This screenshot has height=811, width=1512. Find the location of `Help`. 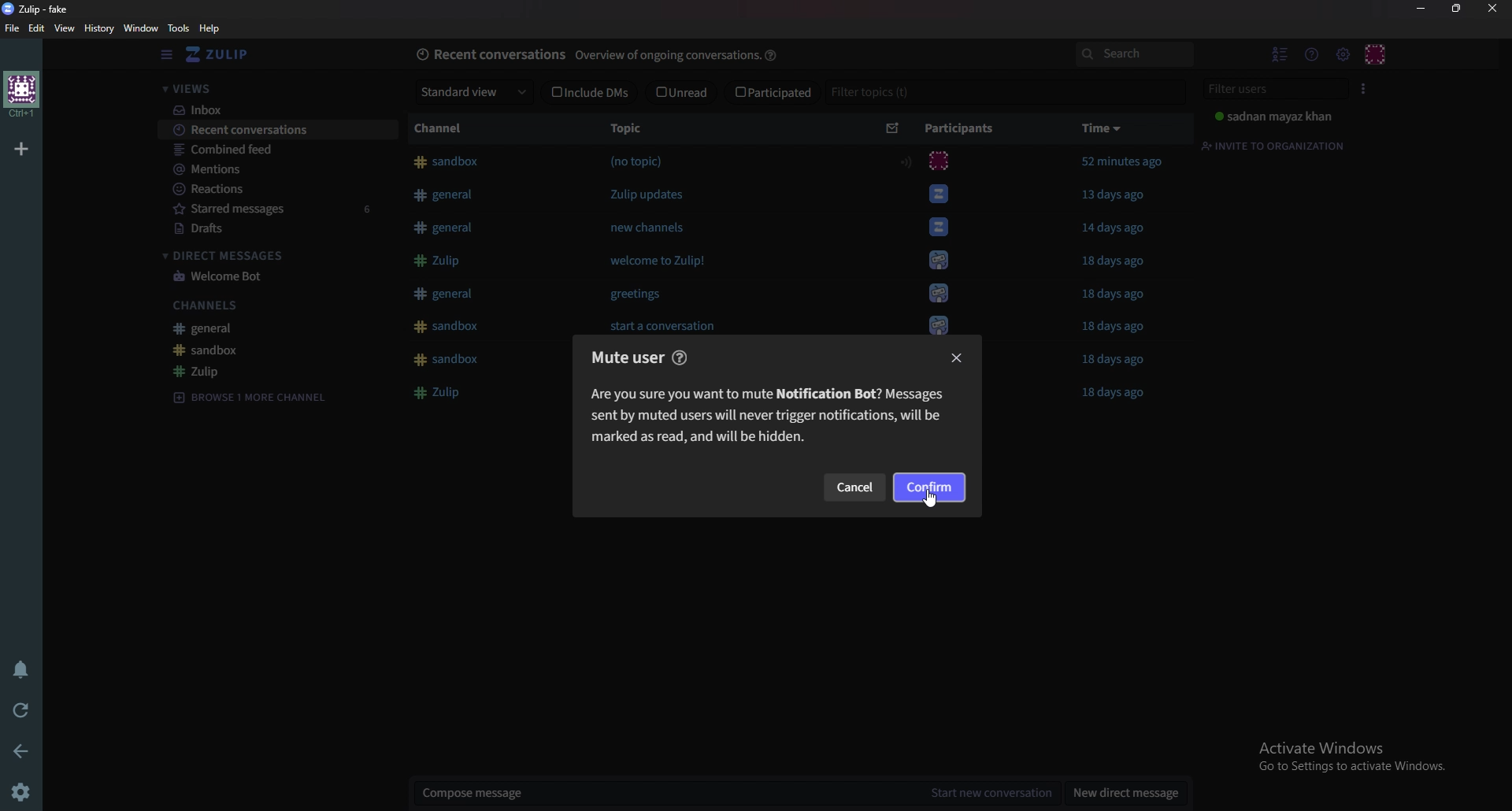

Help is located at coordinates (213, 28).